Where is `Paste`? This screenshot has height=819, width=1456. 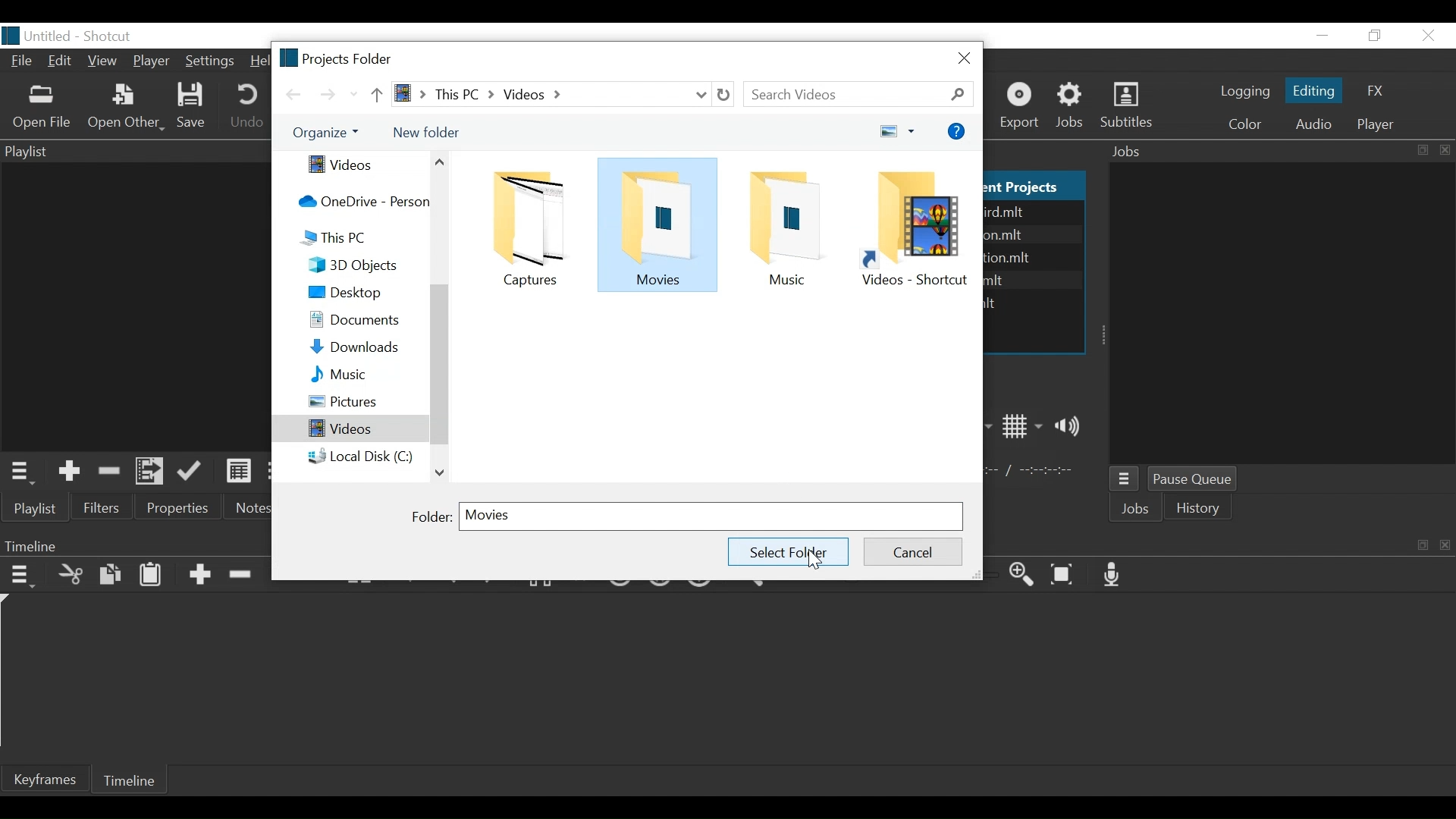
Paste is located at coordinates (151, 574).